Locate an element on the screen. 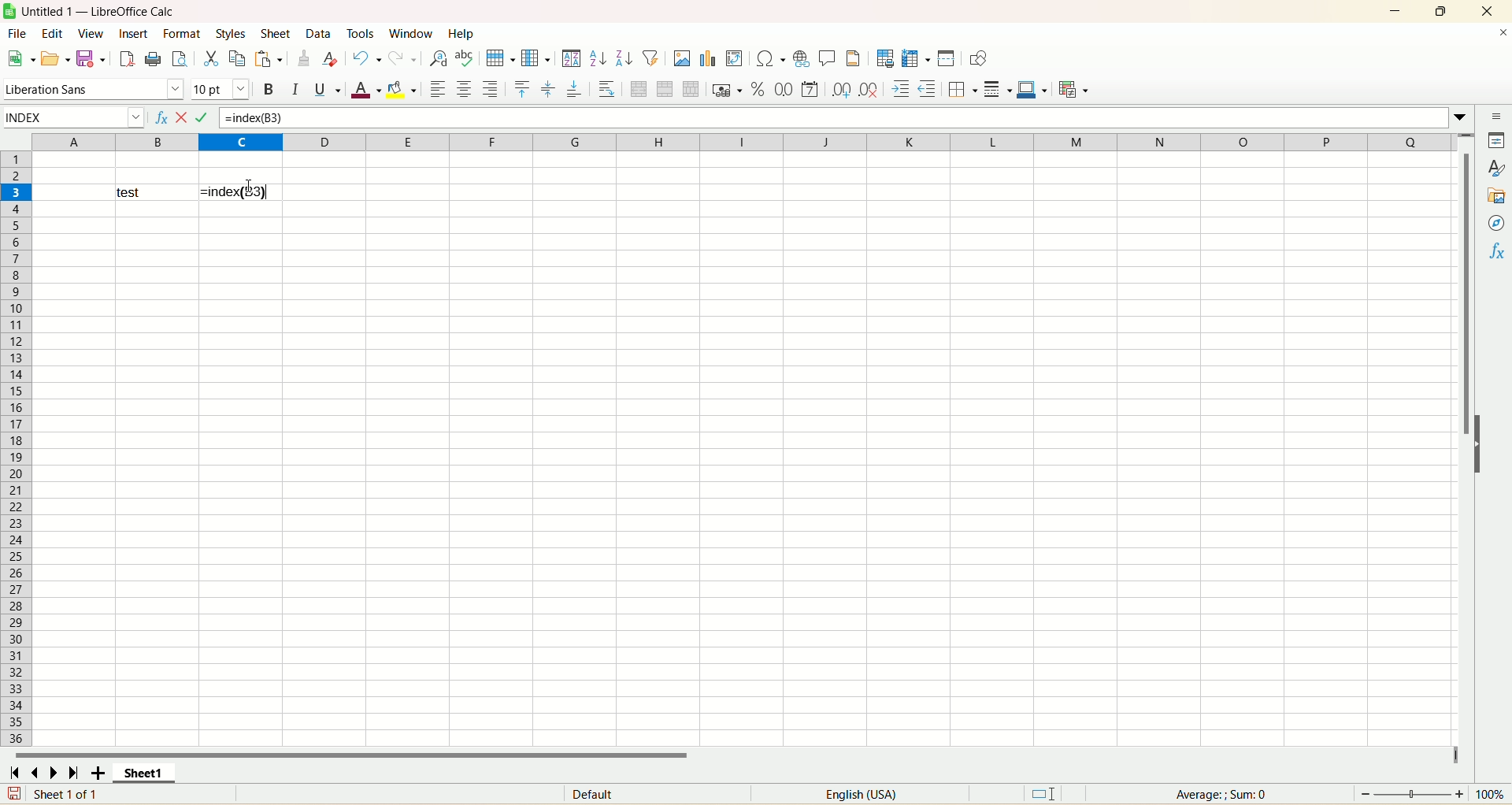 Image resolution: width=1512 pixels, height=805 pixels. Input line is located at coordinates (836, 118).